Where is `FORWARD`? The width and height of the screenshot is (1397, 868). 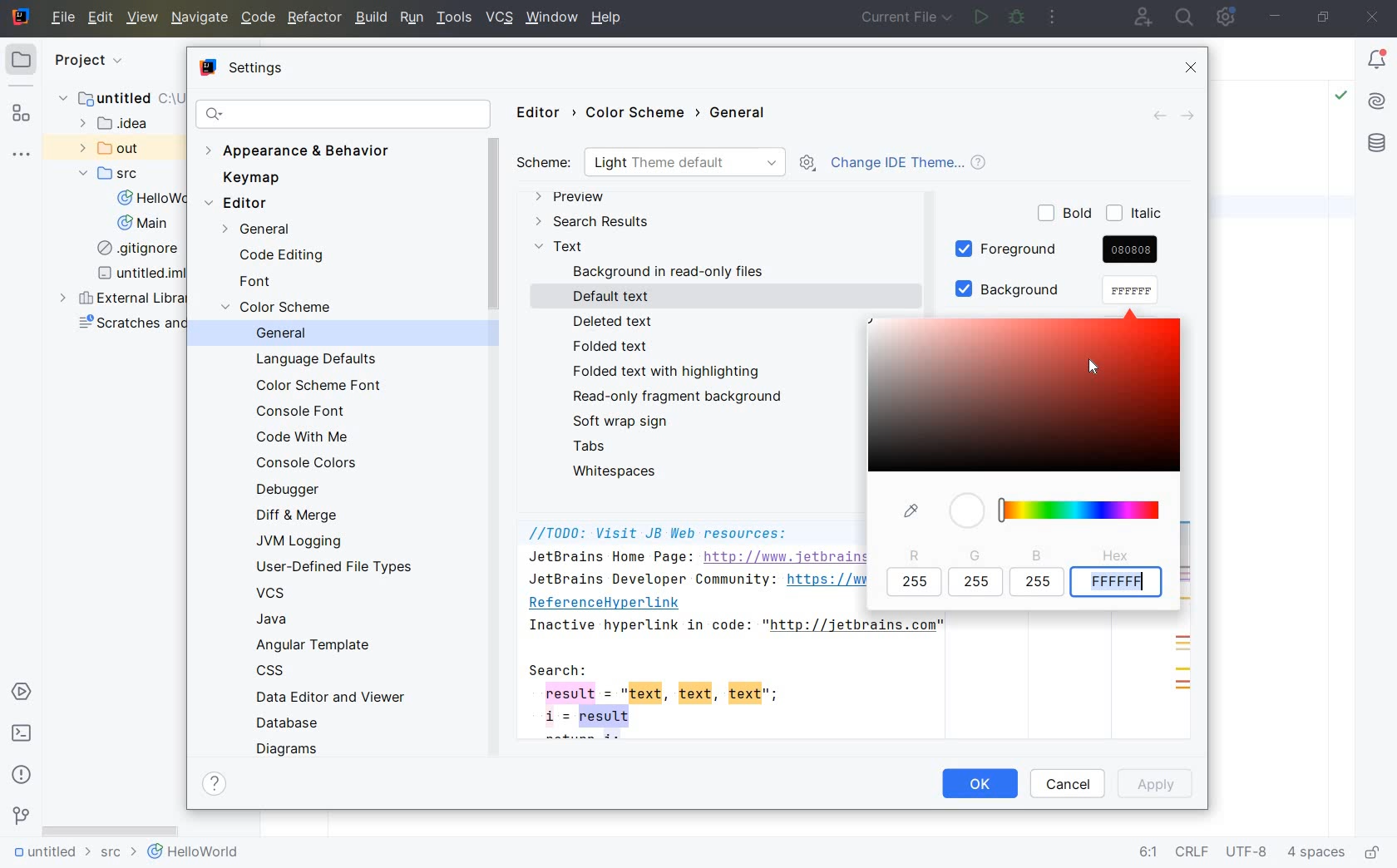 FORWARD is located at coordinates (1192, 116).